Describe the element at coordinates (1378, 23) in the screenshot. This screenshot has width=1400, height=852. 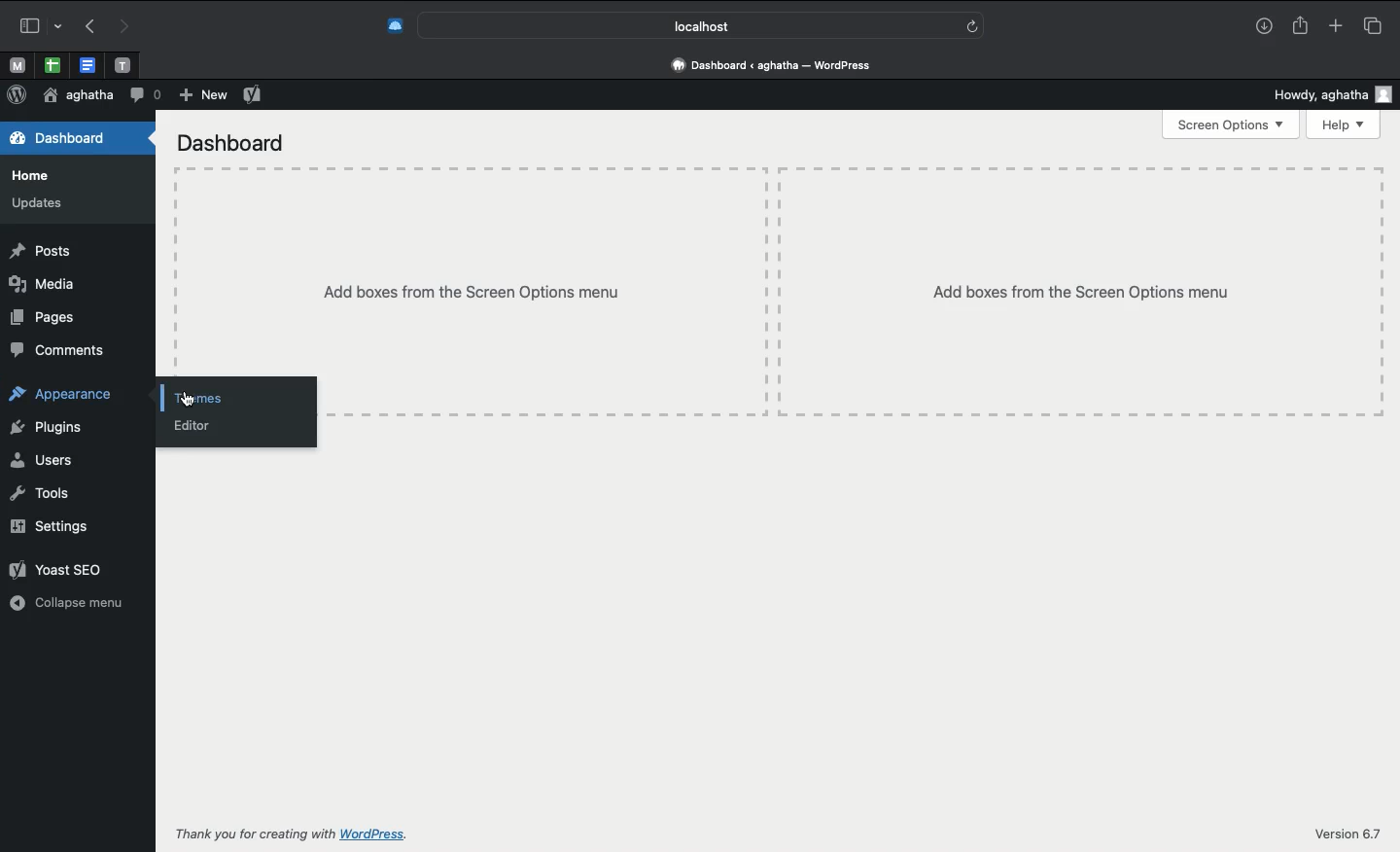
I see `Tabs` at that location.